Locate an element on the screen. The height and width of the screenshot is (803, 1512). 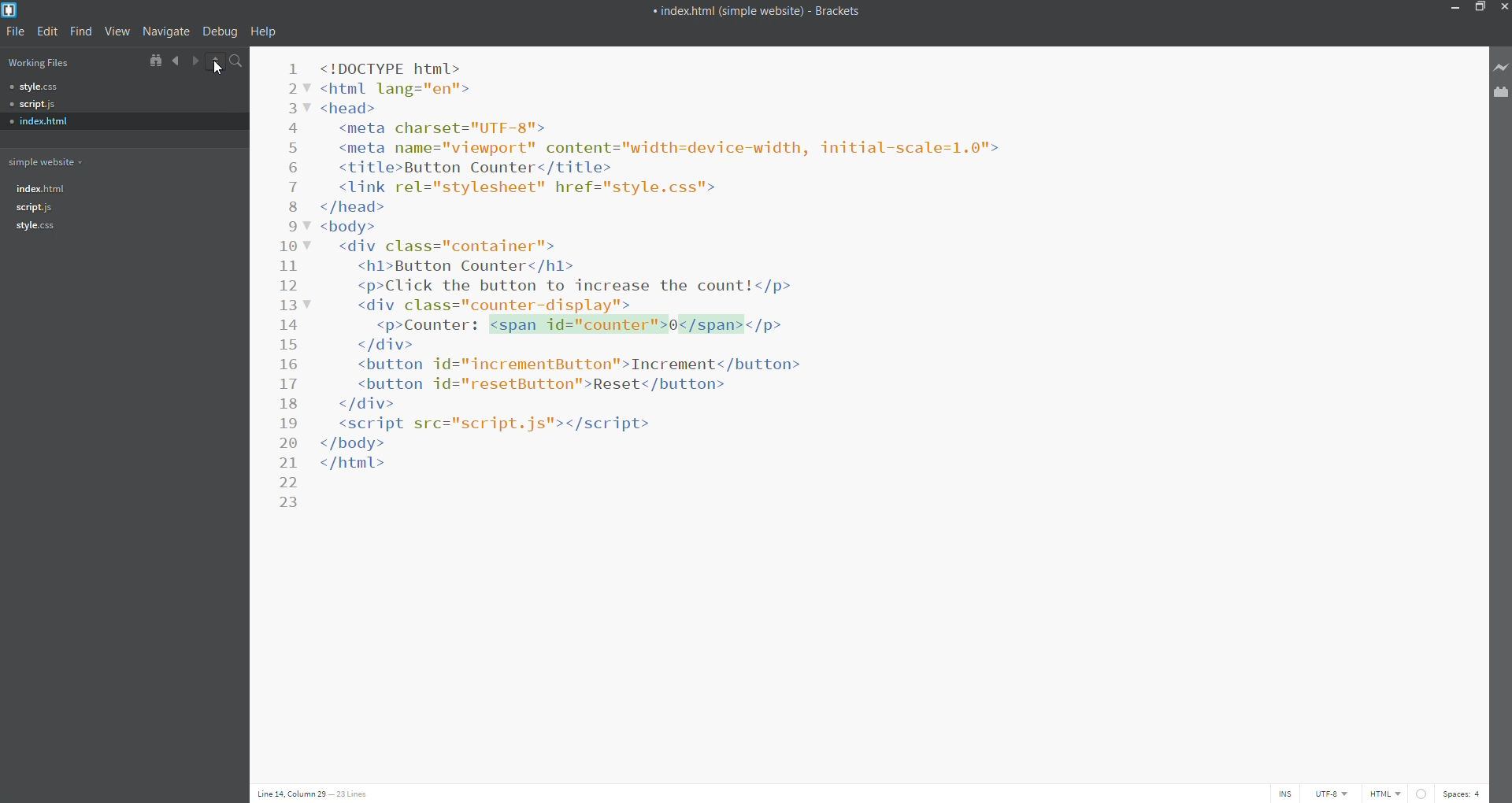
encoding: utf-8 is located at coordinates (1336, 794).